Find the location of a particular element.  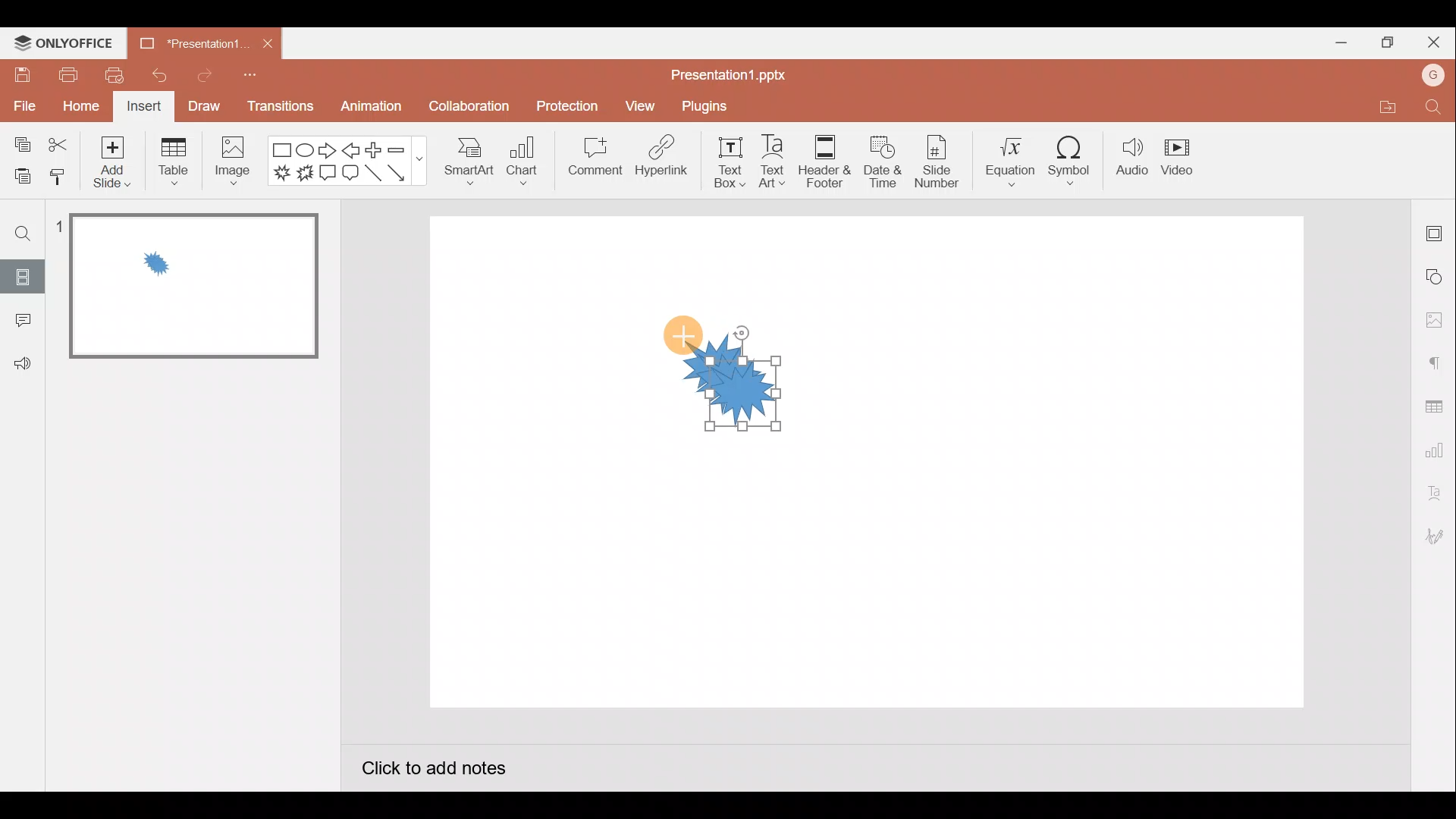

Close is located at coordinates (1433, 37).